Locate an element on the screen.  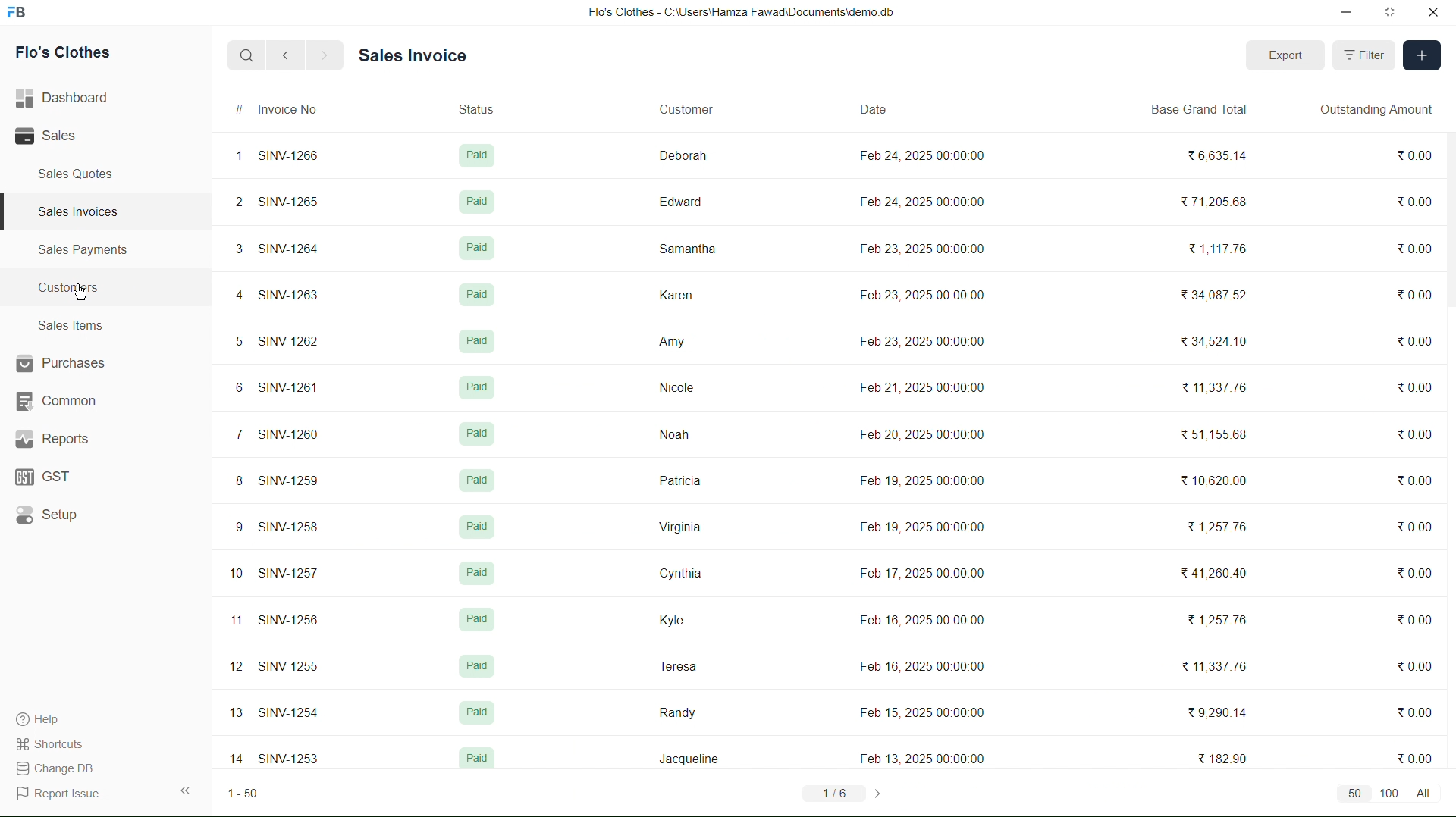
SINV-1259 is located at coordinates (288, 480).